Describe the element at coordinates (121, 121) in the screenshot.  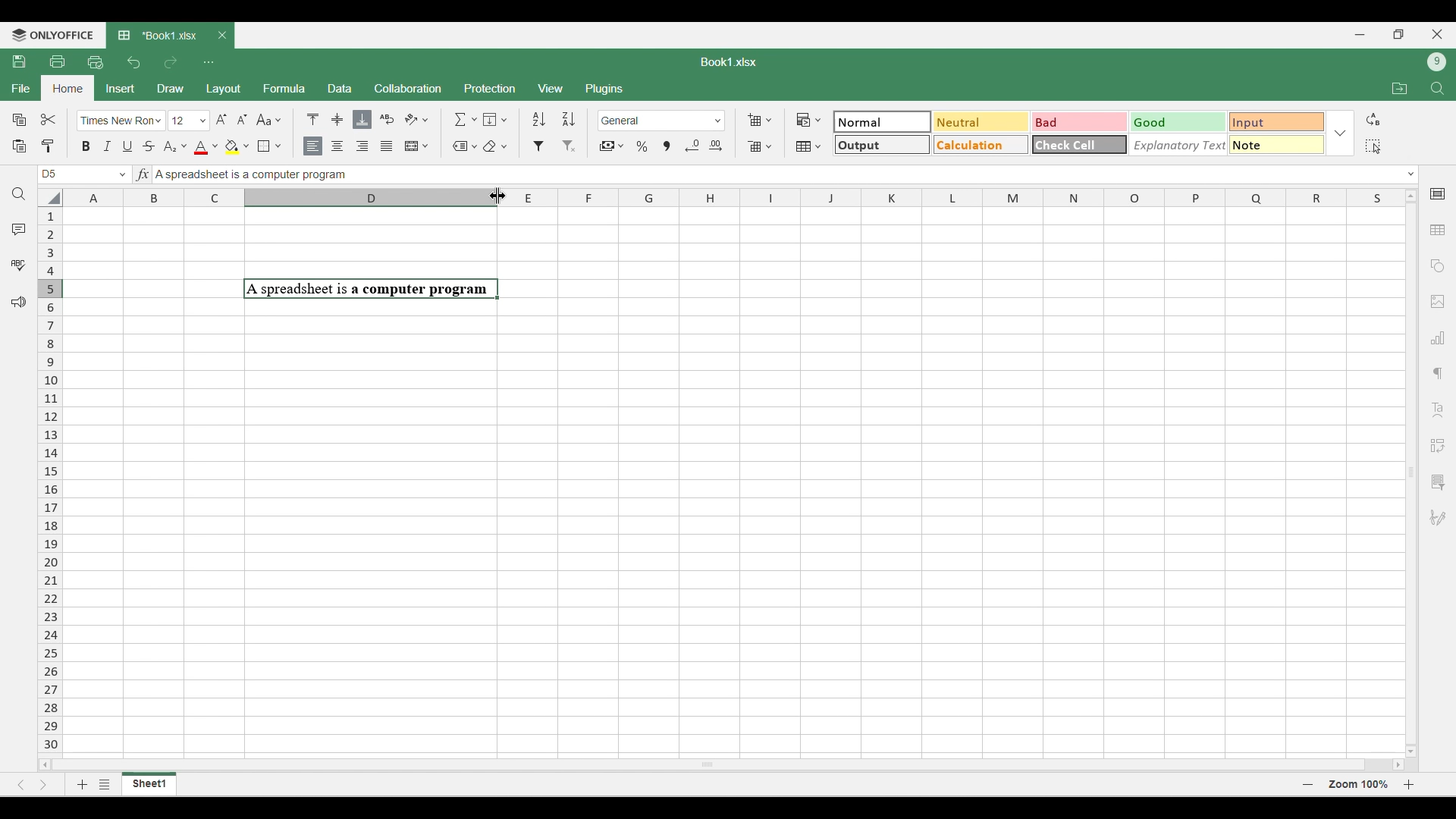
I see `Text font options` at that location.